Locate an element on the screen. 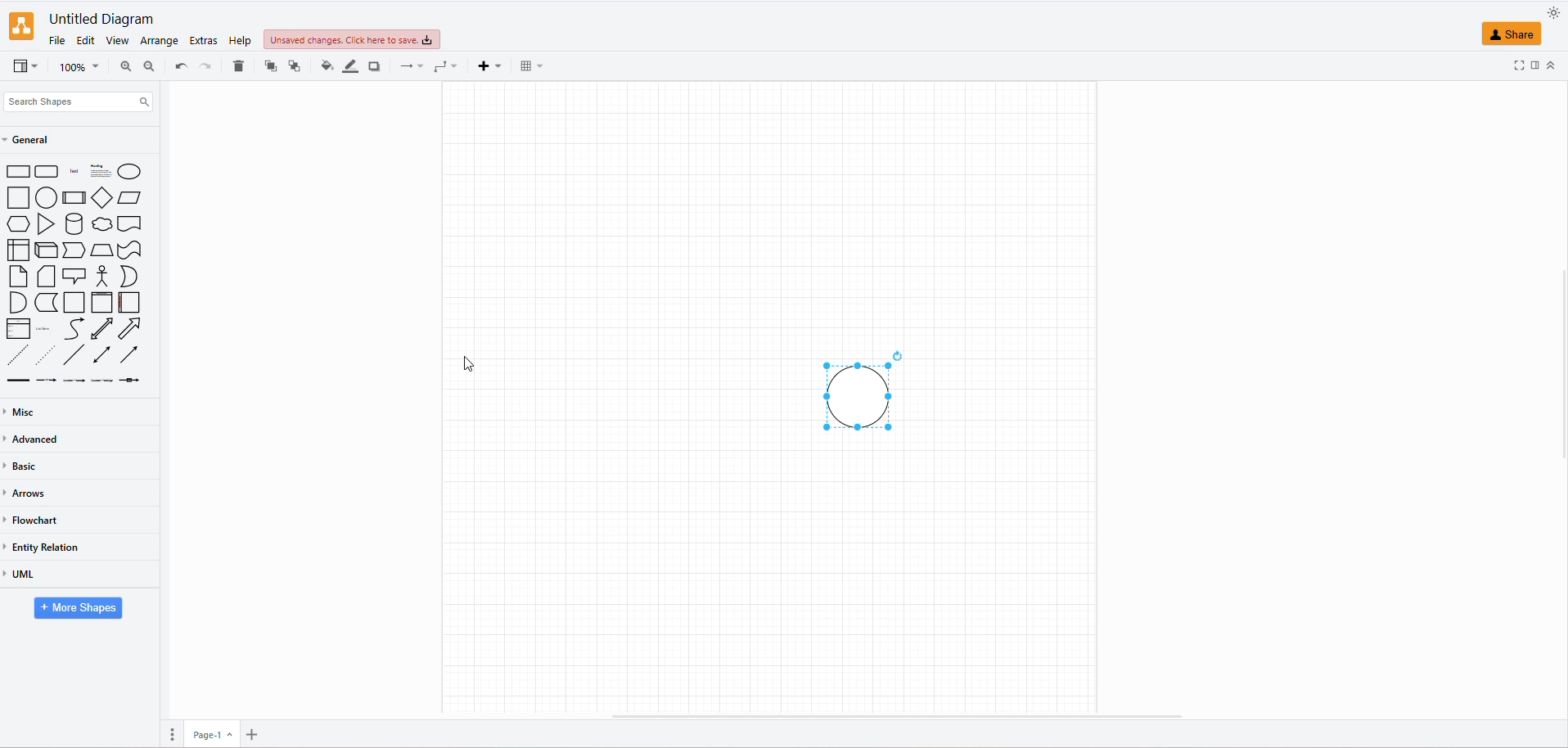 The image size is (1568, 748). arrow is located at coordinates (95, 383).